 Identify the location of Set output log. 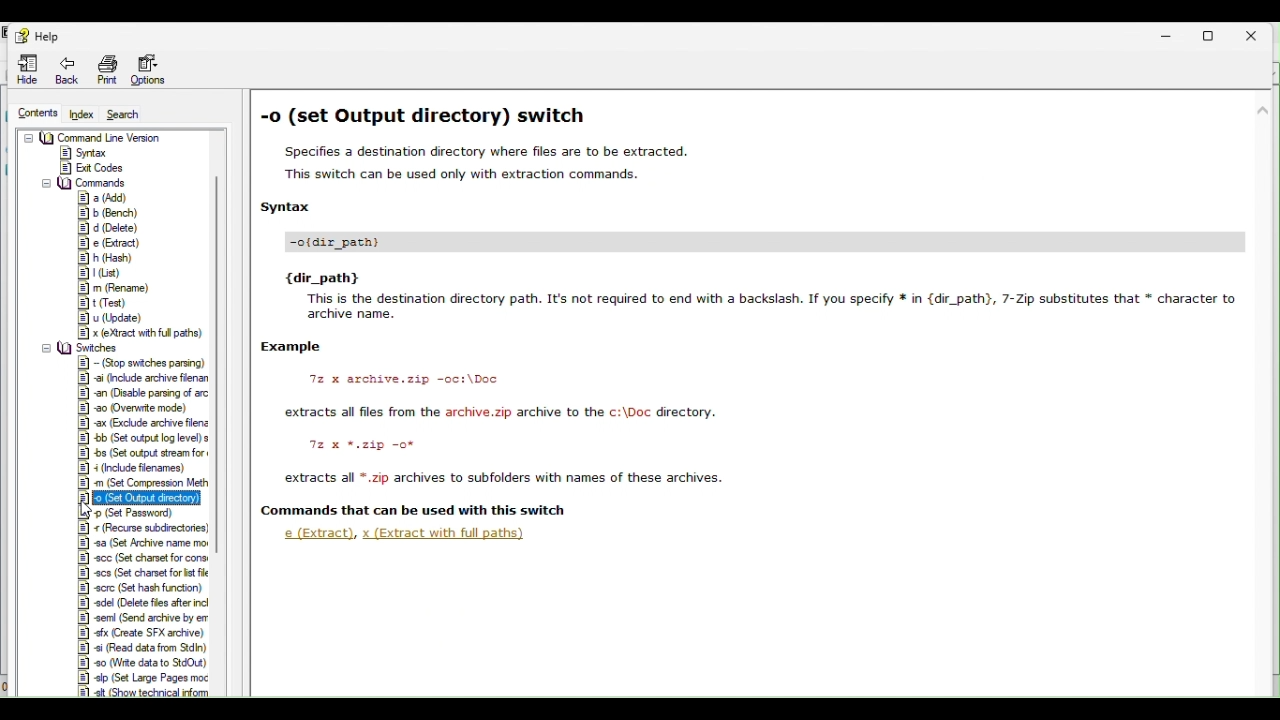
(143, 437).